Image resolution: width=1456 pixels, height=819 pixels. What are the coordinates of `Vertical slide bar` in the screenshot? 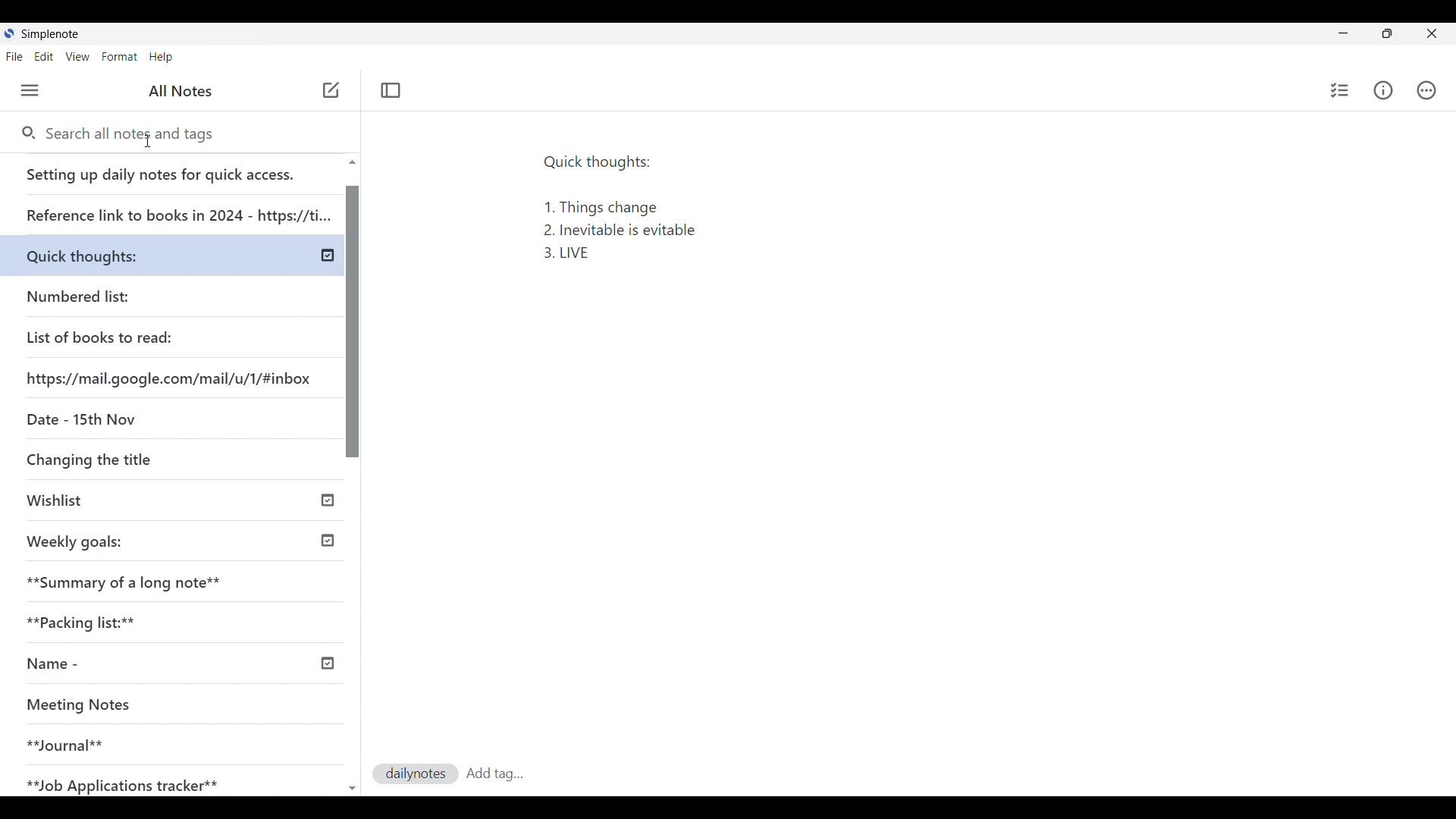 It's located at (354, 482).